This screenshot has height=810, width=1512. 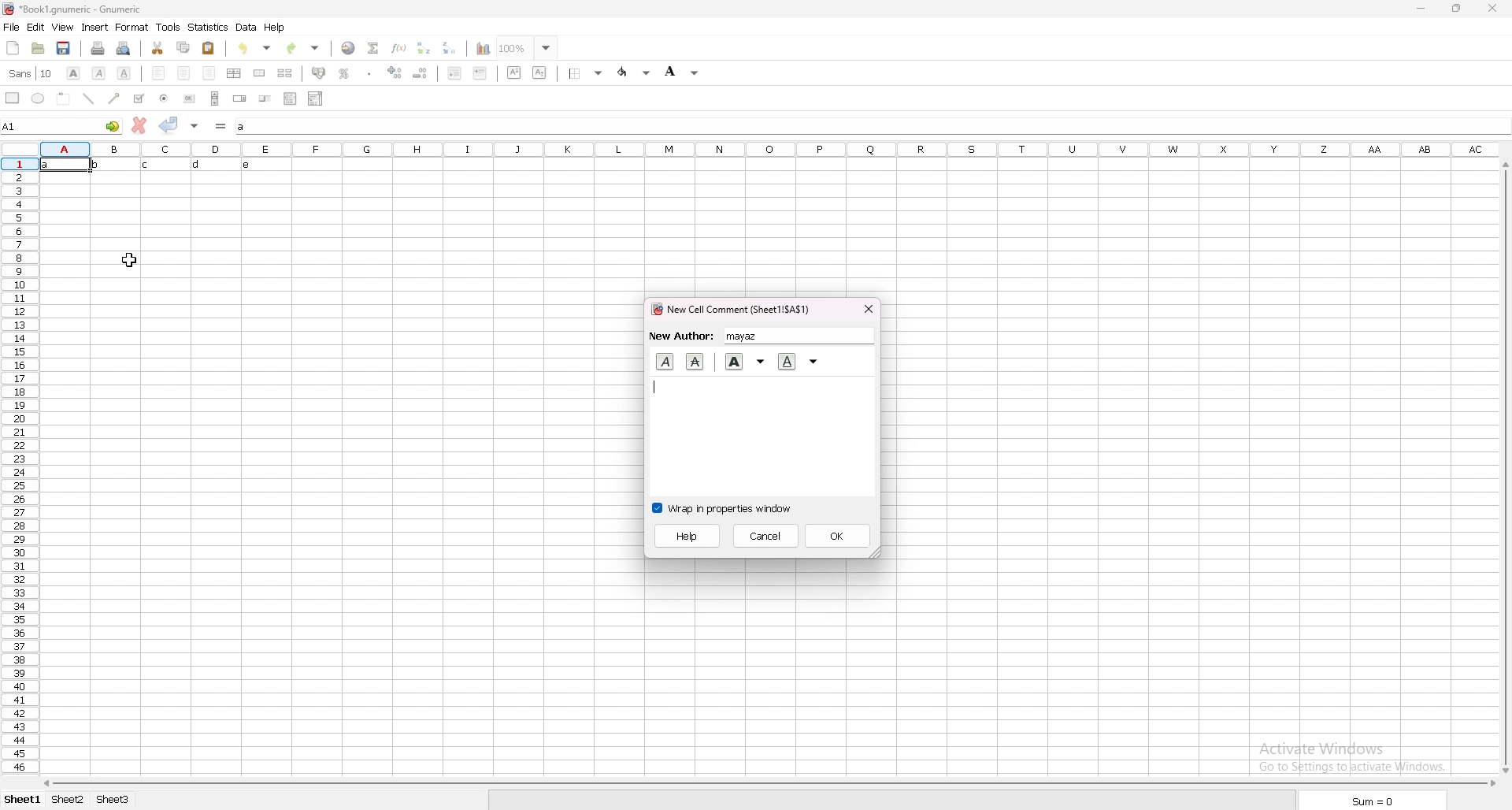 I want to click on save, so click(x=65, y=48).